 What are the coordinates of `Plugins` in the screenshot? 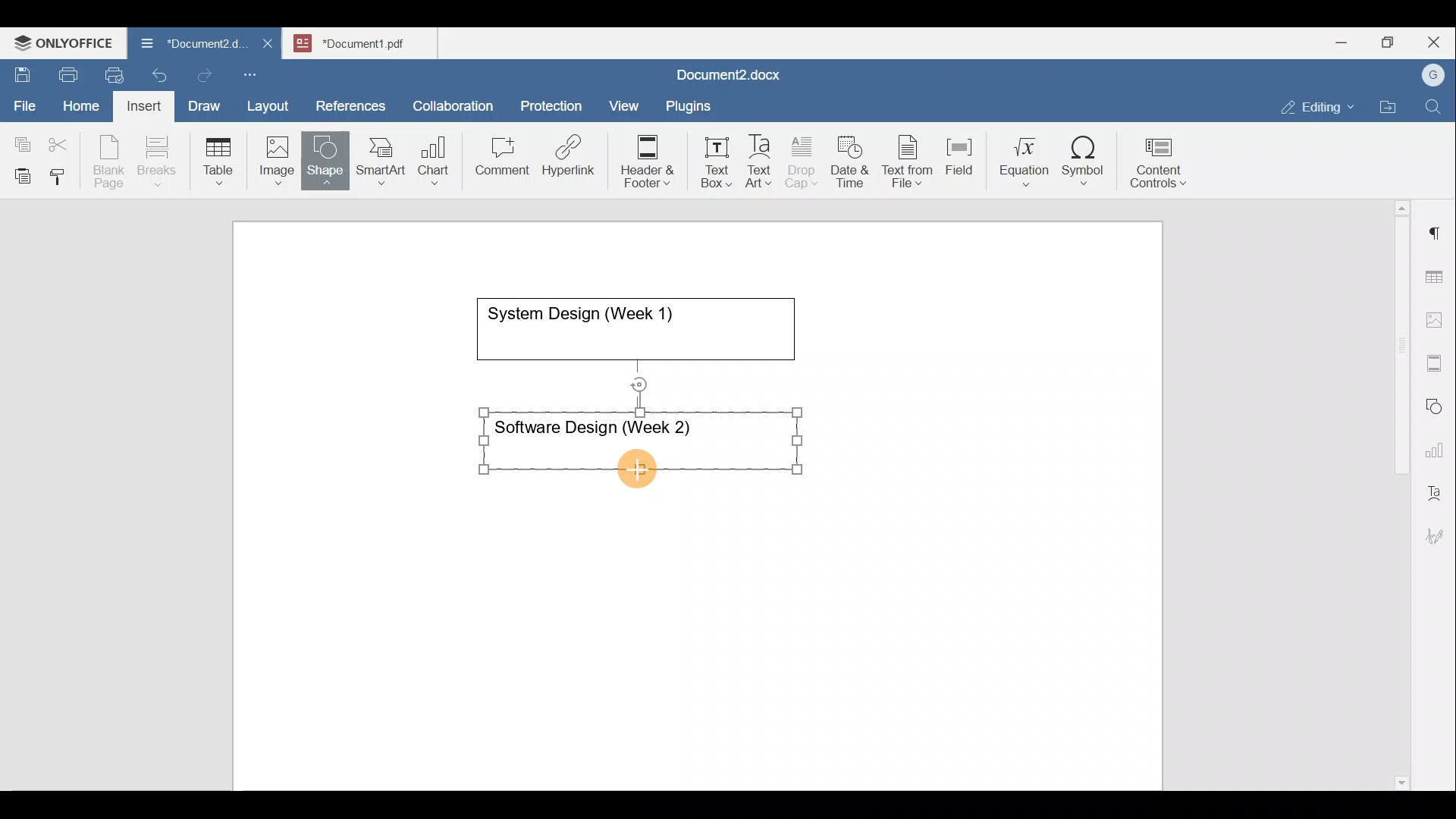 It's located at (693, 104).